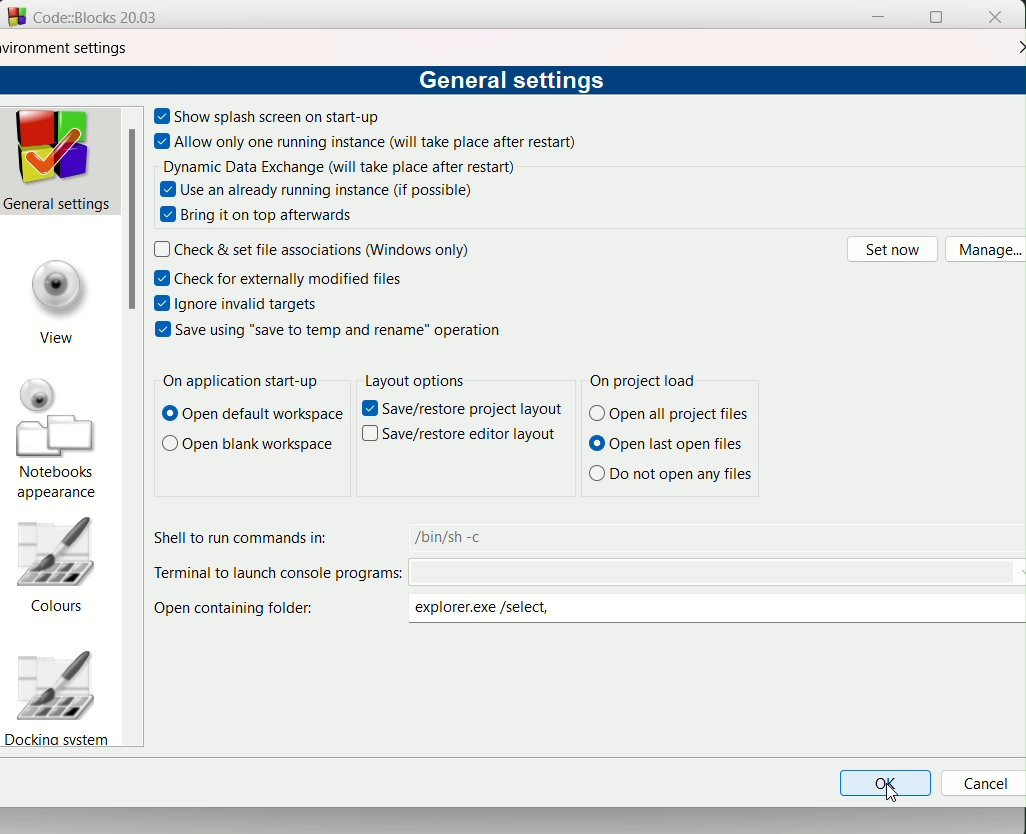 The height and width of the screenshot is (834, 1026). Describe the element at coordinates (161, 114) in the screenshot. I see `checkbox` at that location.